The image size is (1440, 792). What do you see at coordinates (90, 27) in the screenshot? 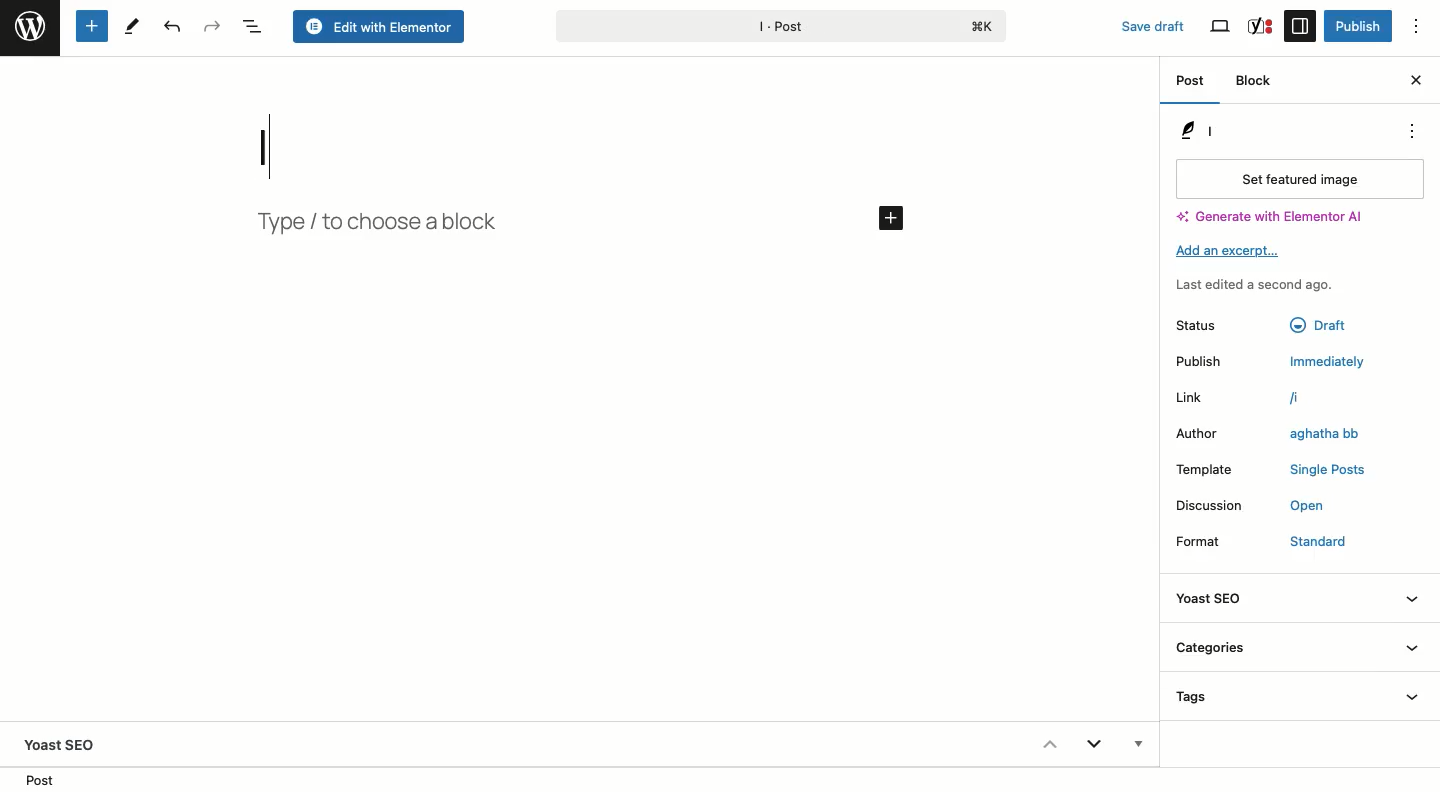
I see `Add new block` at bounding box center [90, 27].